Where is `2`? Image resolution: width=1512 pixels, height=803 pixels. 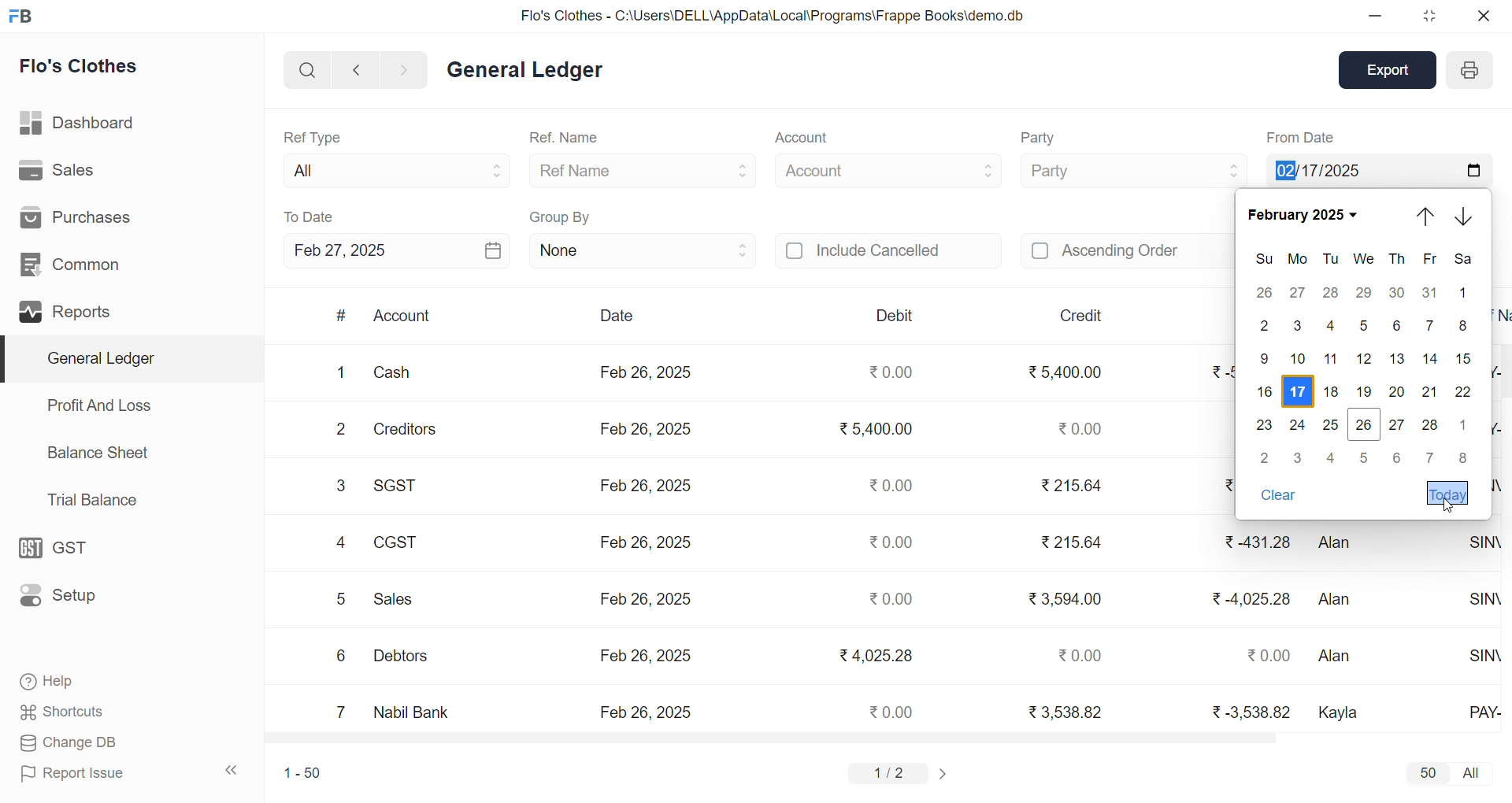
2 is located at coordinates (1268, 458).